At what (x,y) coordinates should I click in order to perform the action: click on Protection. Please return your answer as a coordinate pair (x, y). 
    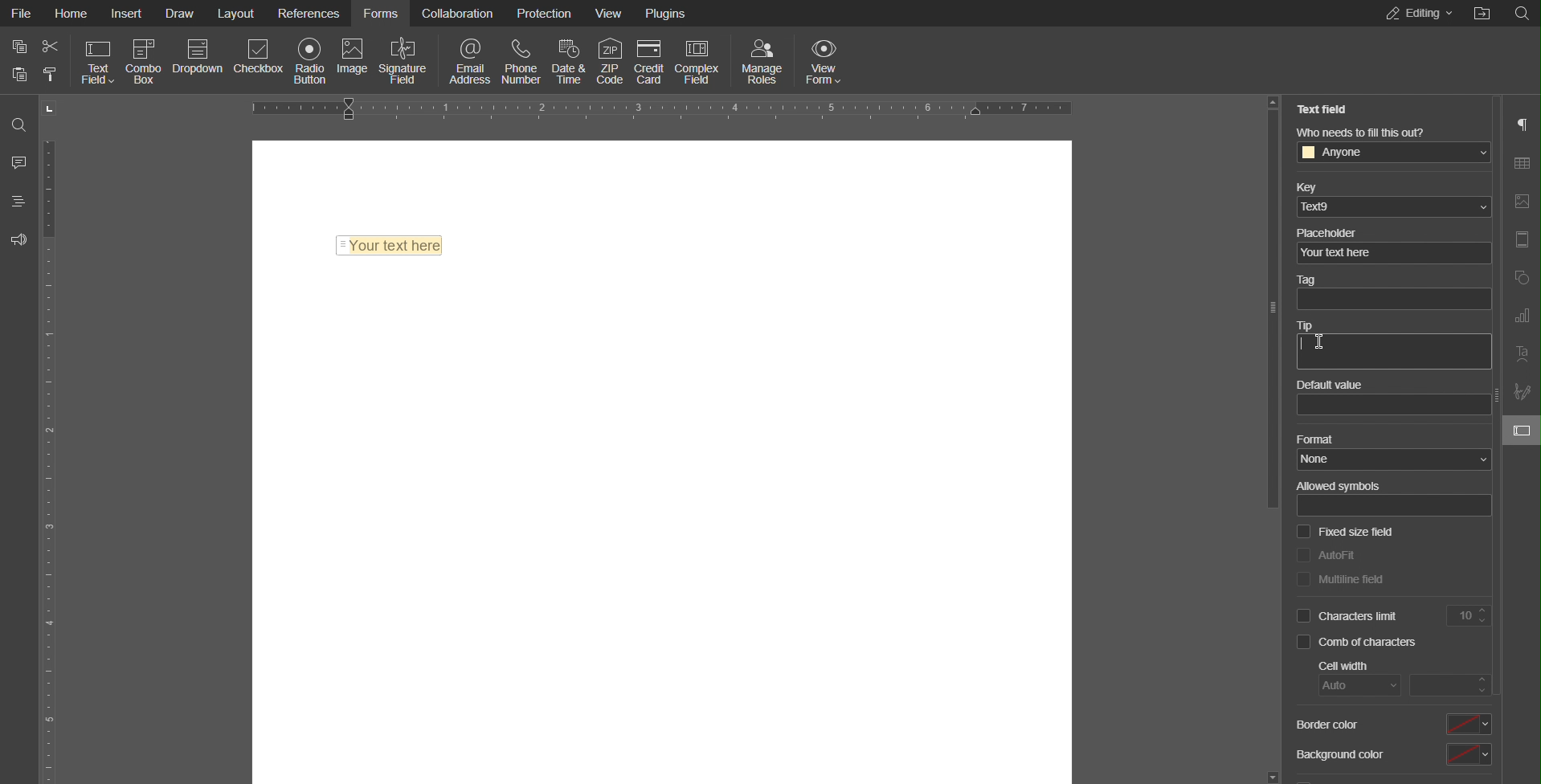
    Looking at the image, I should click on (547, 11).